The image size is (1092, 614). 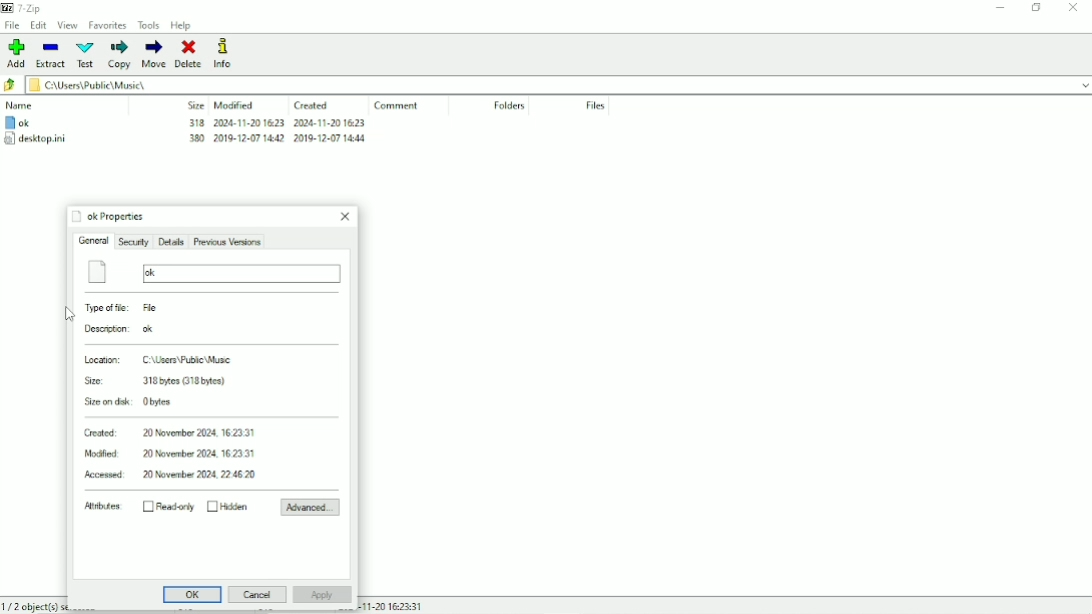 What do you see at coordinates (258, 595) in the screenshot?
I see `Cancel` at bounding box center [258, 595].